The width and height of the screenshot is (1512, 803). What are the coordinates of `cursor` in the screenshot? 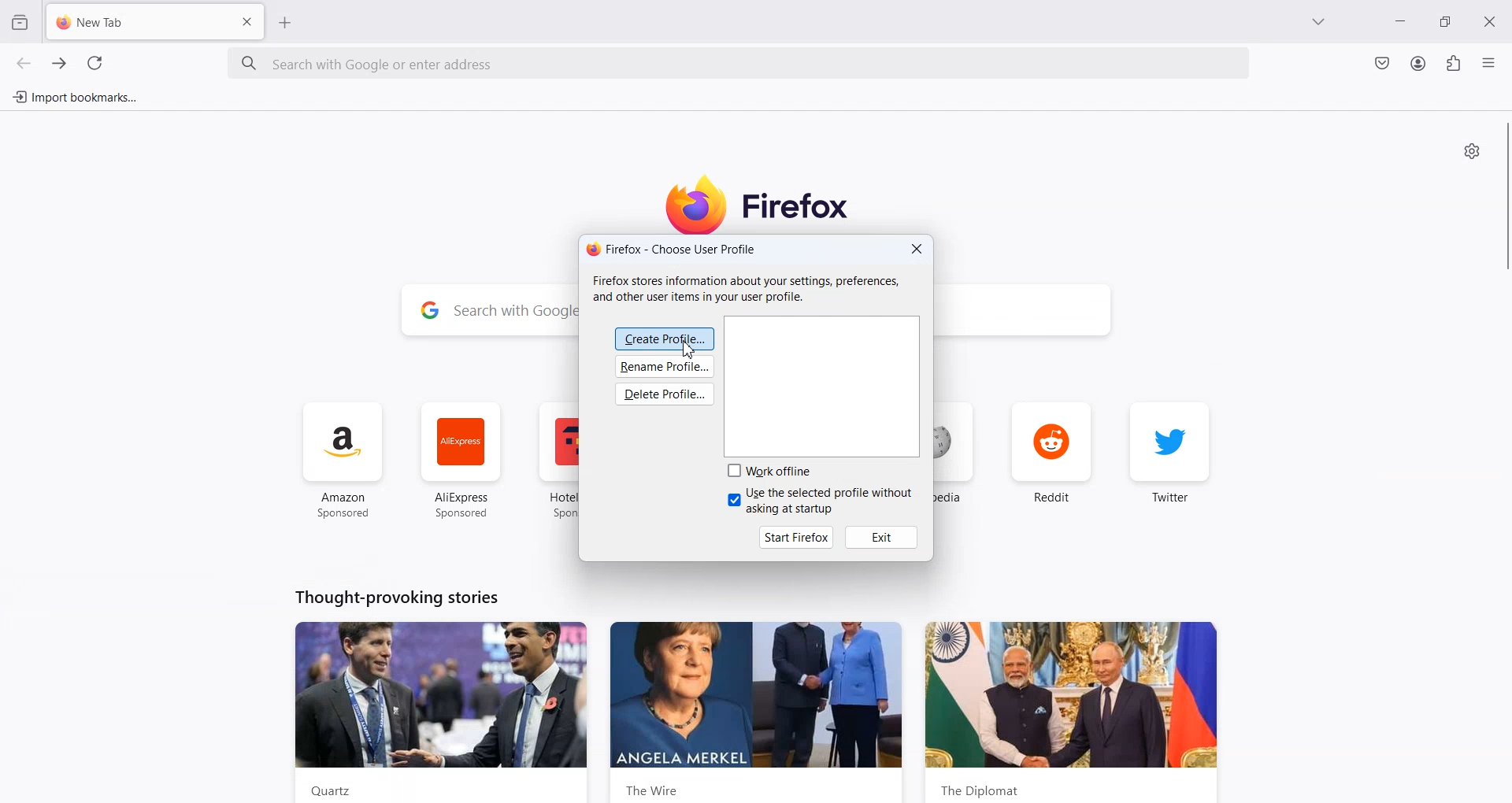 It's located at (688, 351).